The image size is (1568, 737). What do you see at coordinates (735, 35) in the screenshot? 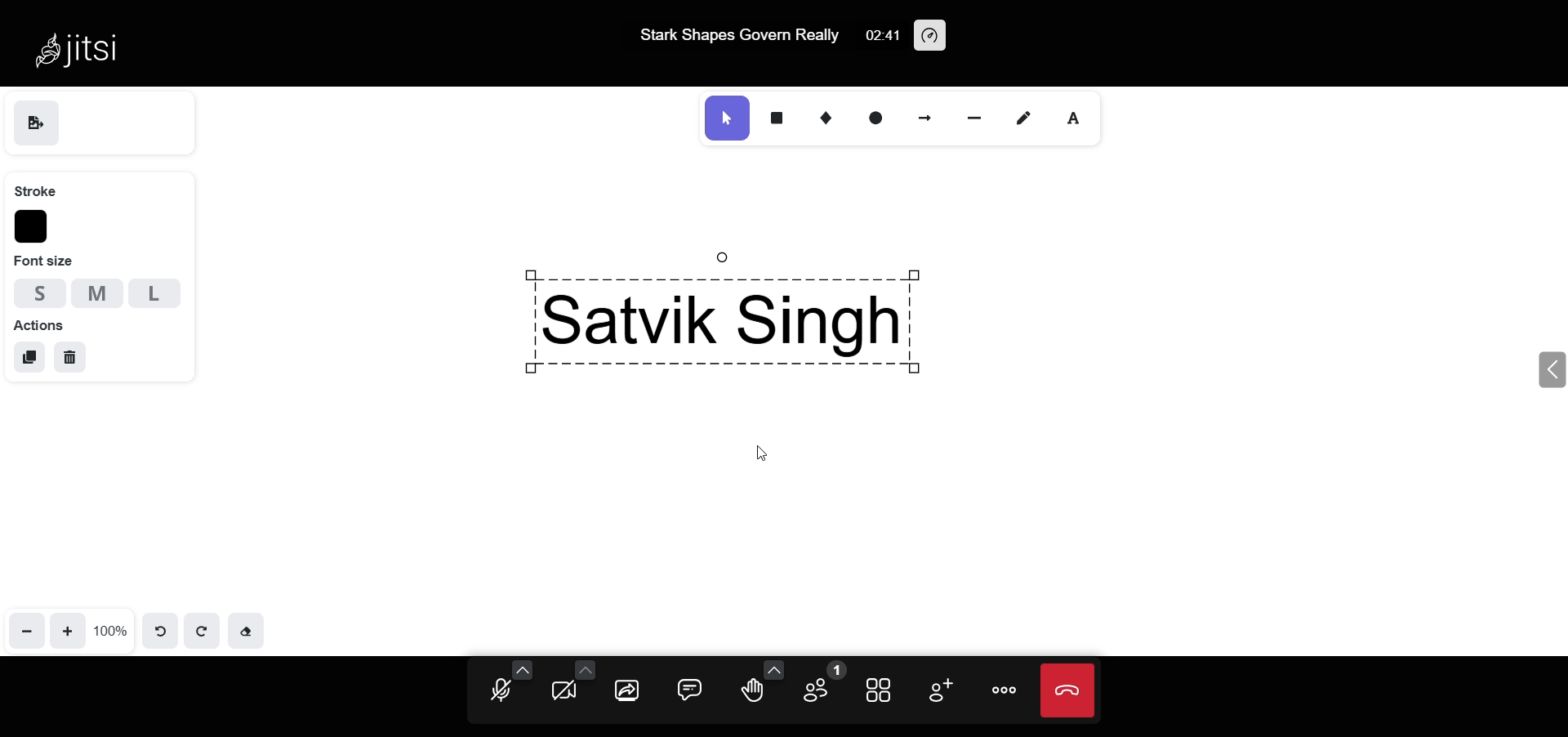
I see `Stark Shapes Govern Really` at bounding box center [735, 35].